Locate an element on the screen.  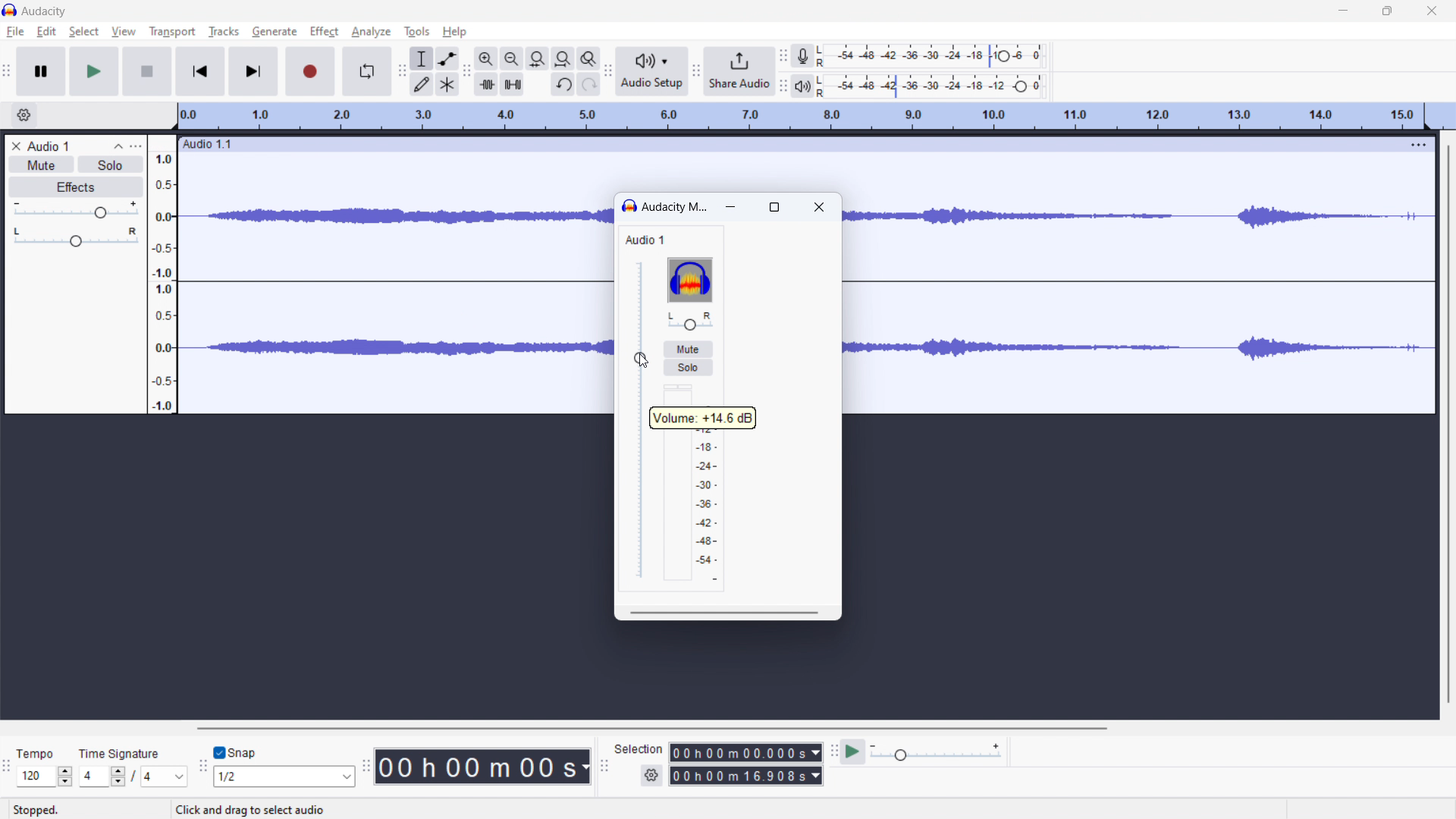
maximize is located at coordinates (775, 207).